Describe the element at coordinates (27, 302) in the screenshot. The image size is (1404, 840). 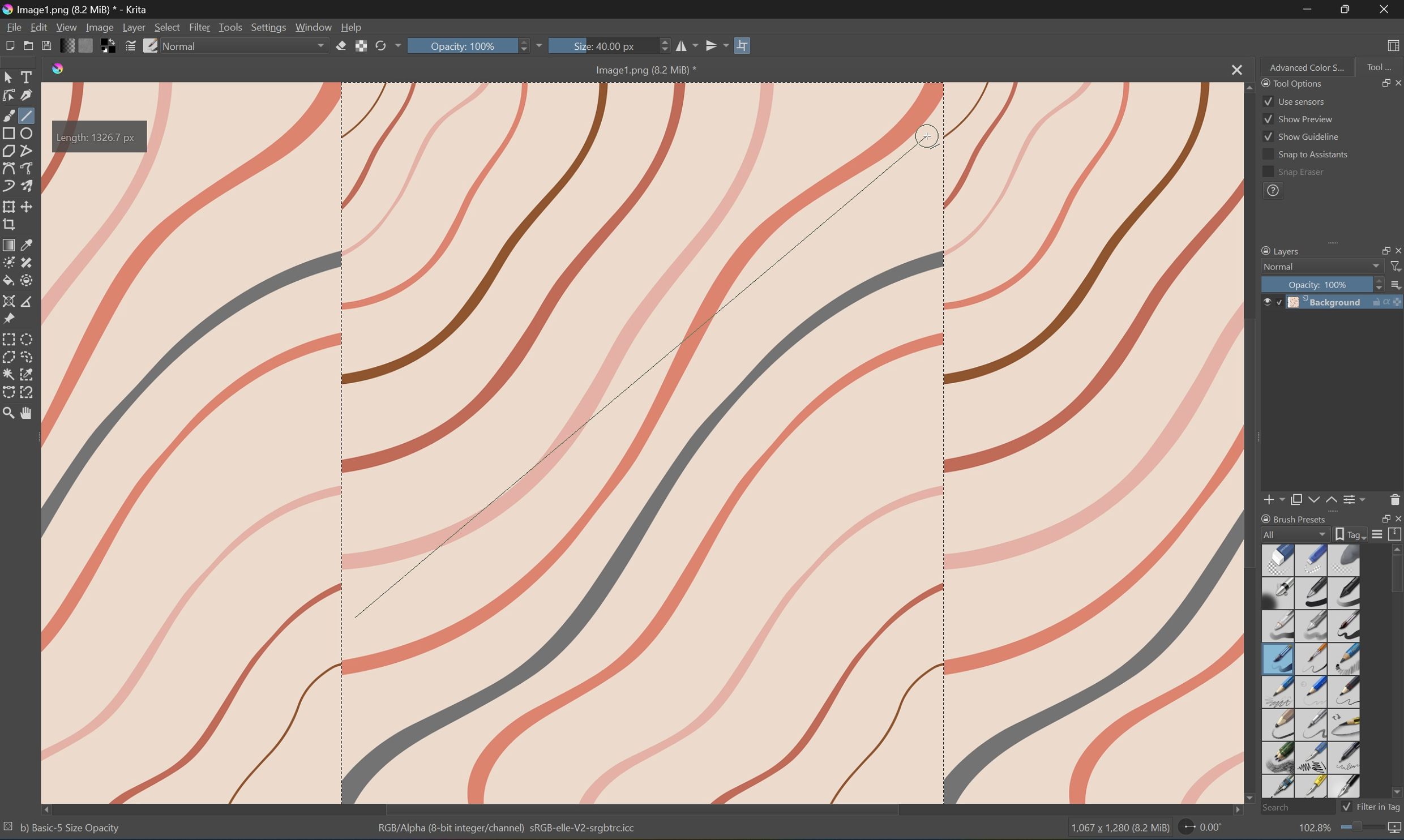
I see `Measure the distance between two points` at that location.